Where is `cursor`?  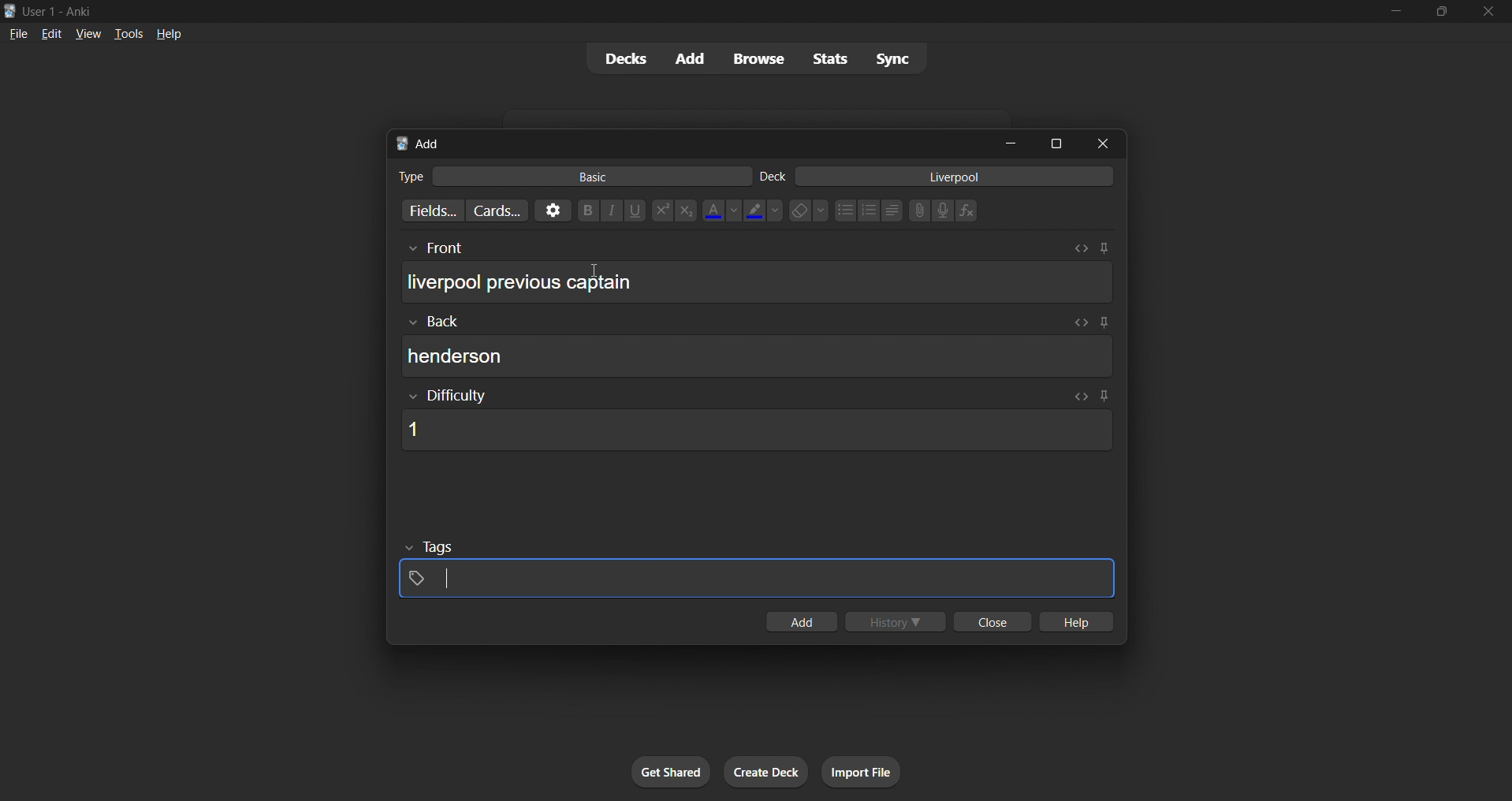
cursor is located at coordinates (592, 271).